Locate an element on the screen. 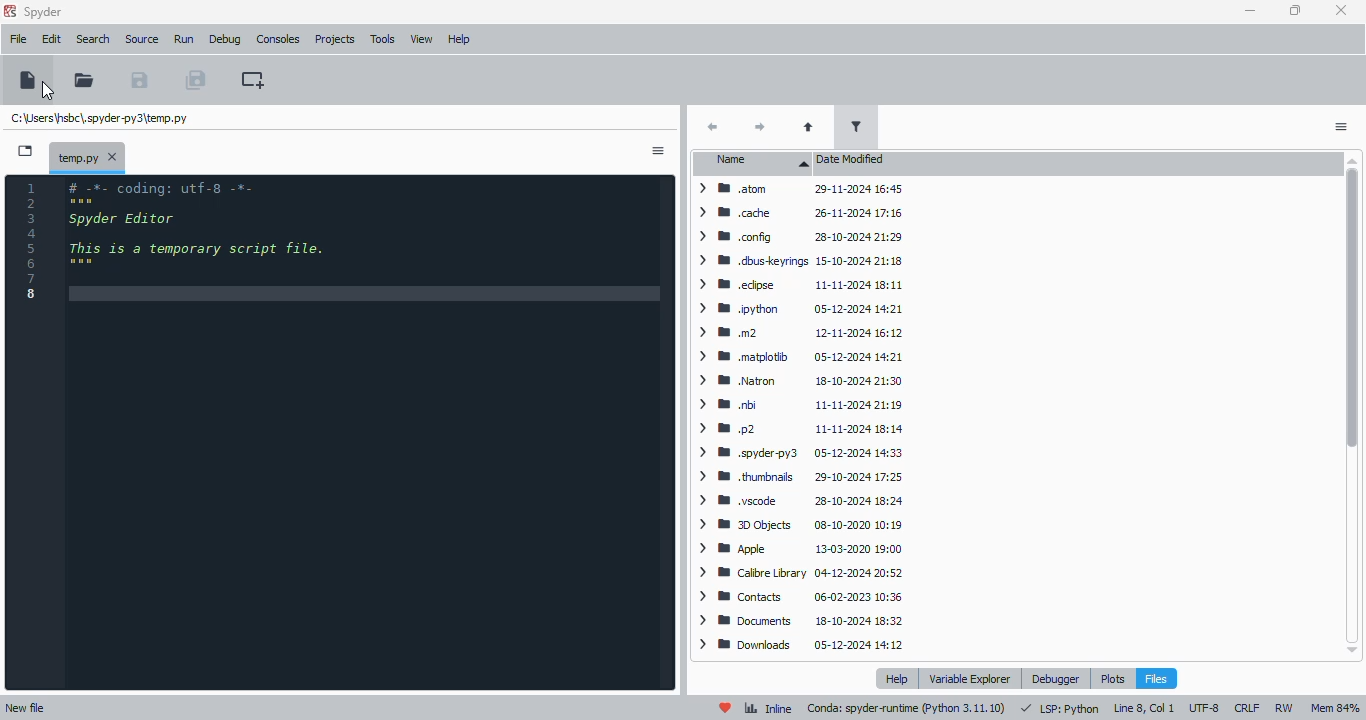  filter is located at coordinates (855, 127).